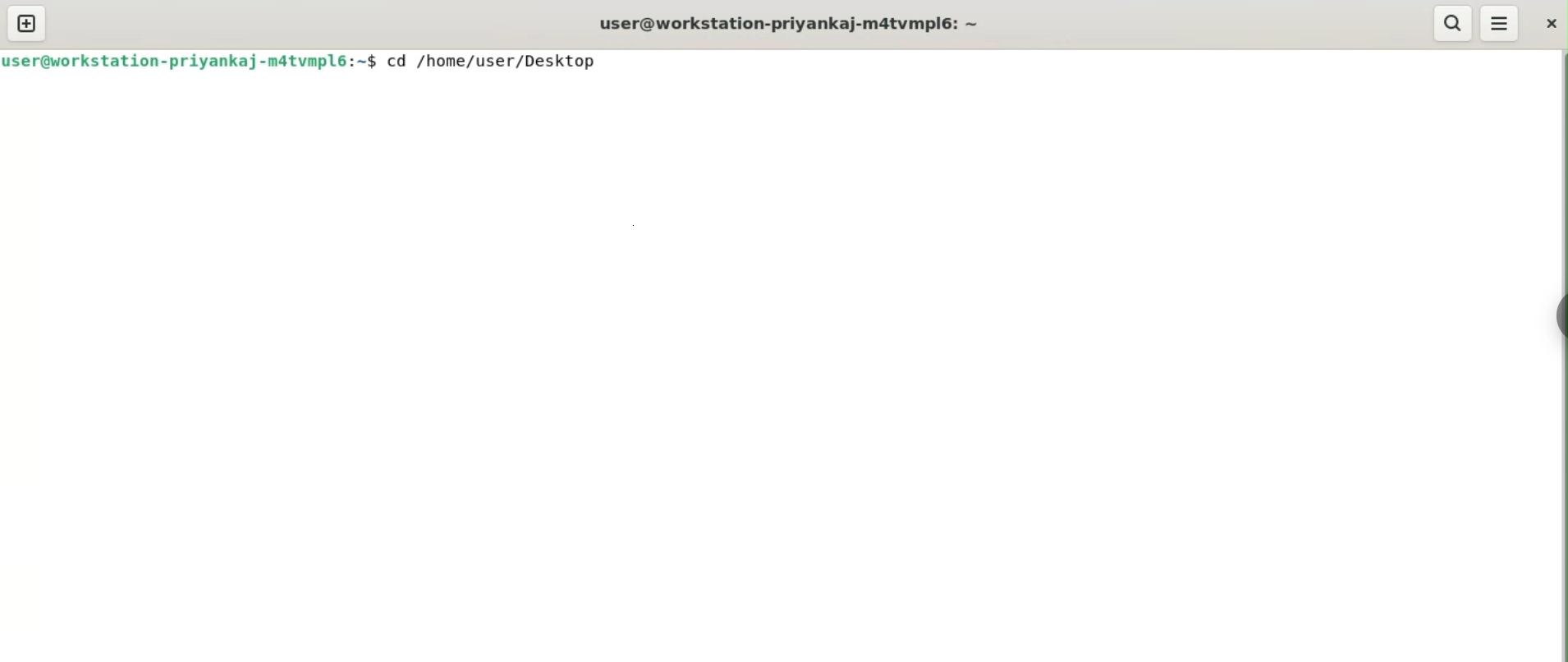 The height and width of the screenshot is (662, 1568). Describe the element at coordinates (27, 23) in the screenshot. I see `new tab ` at that location.